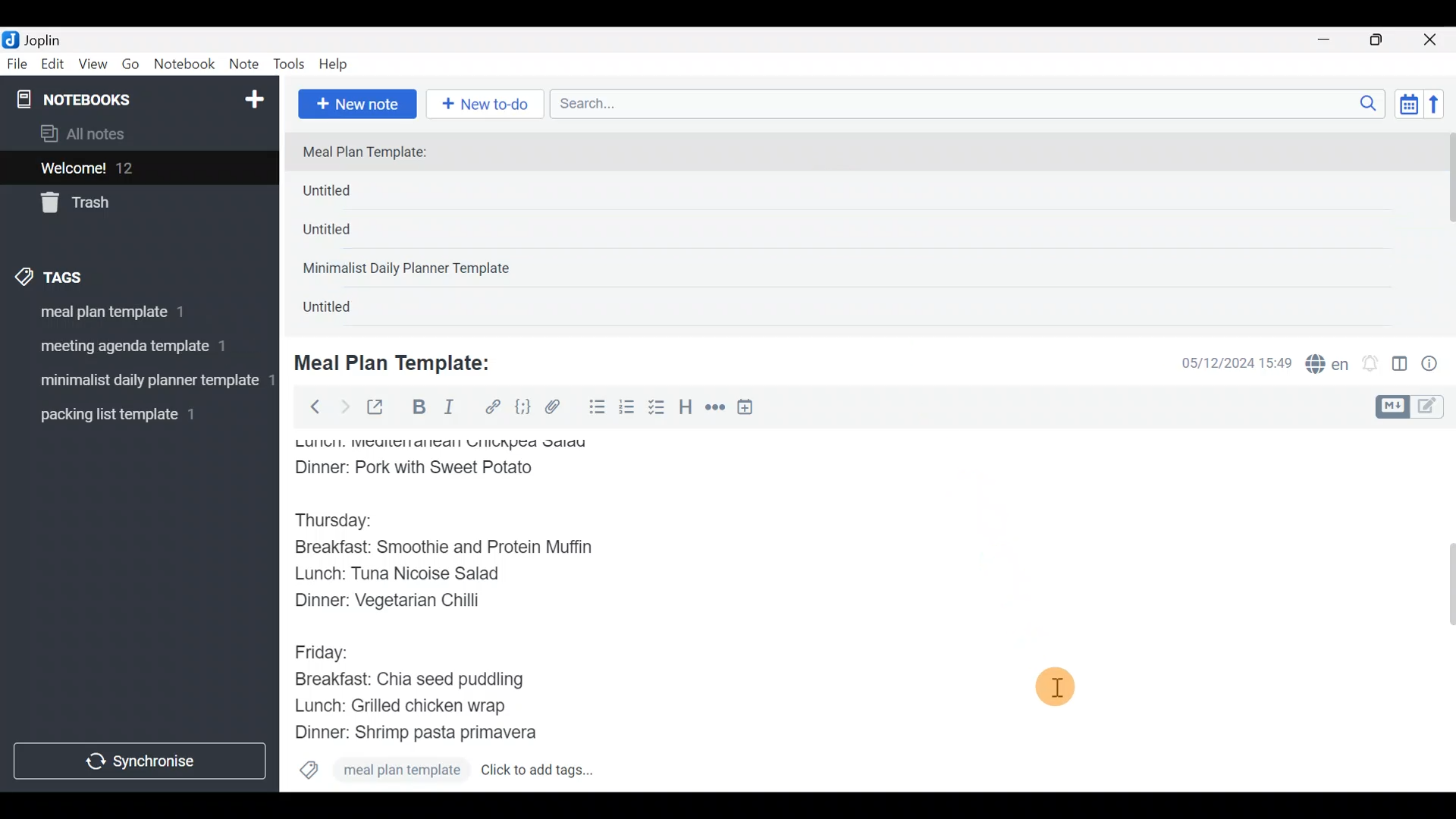 The width and height of the screenshot is (1456, 819). What do you see at coordinates (130, 65) in the screenshot?
I see `Go` at bounding box center [130, 65].